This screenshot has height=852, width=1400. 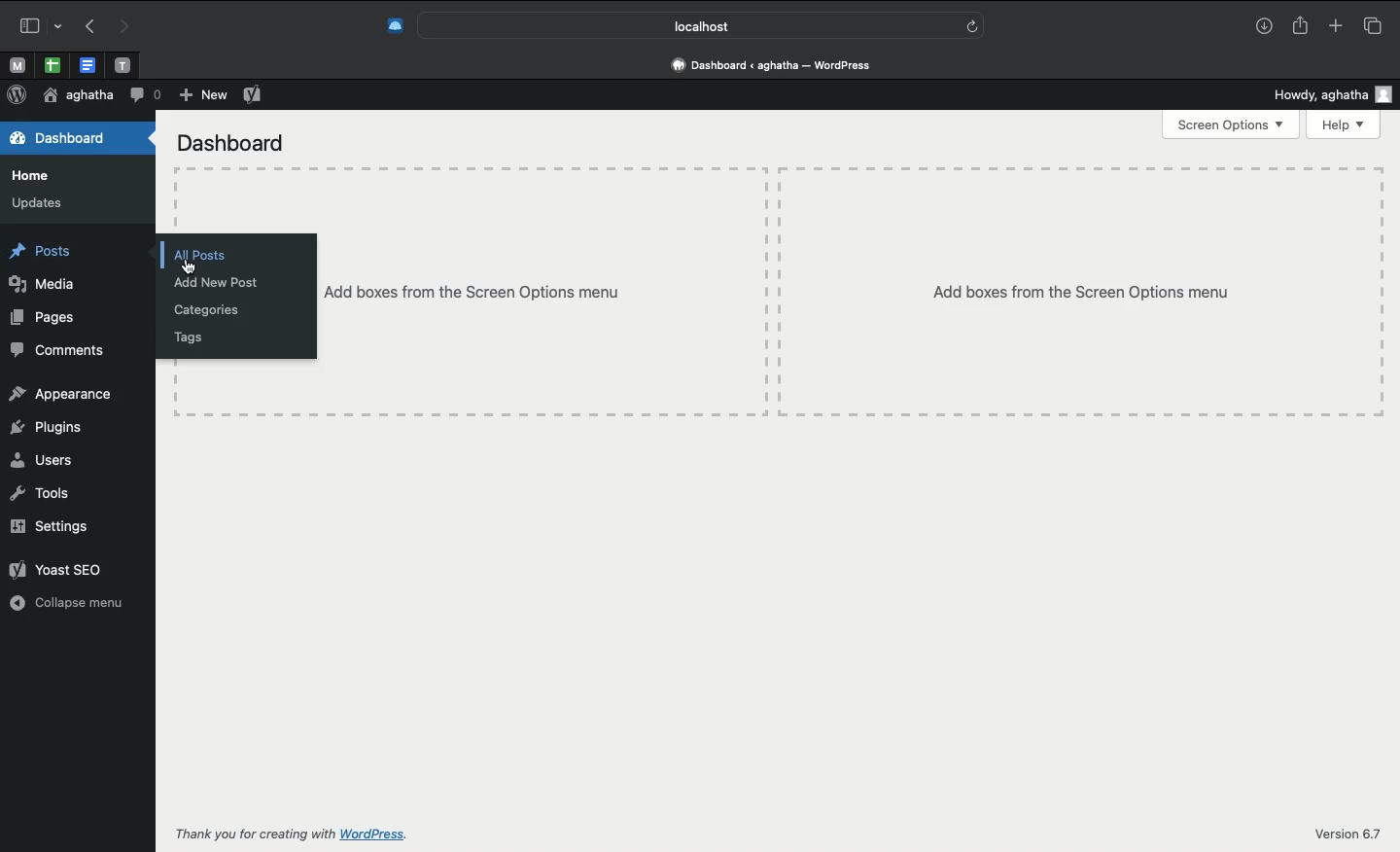 What do you see at coordinates (221, 284) in the screenshot?
I see `Add new post` at bounding box center [221, 284].